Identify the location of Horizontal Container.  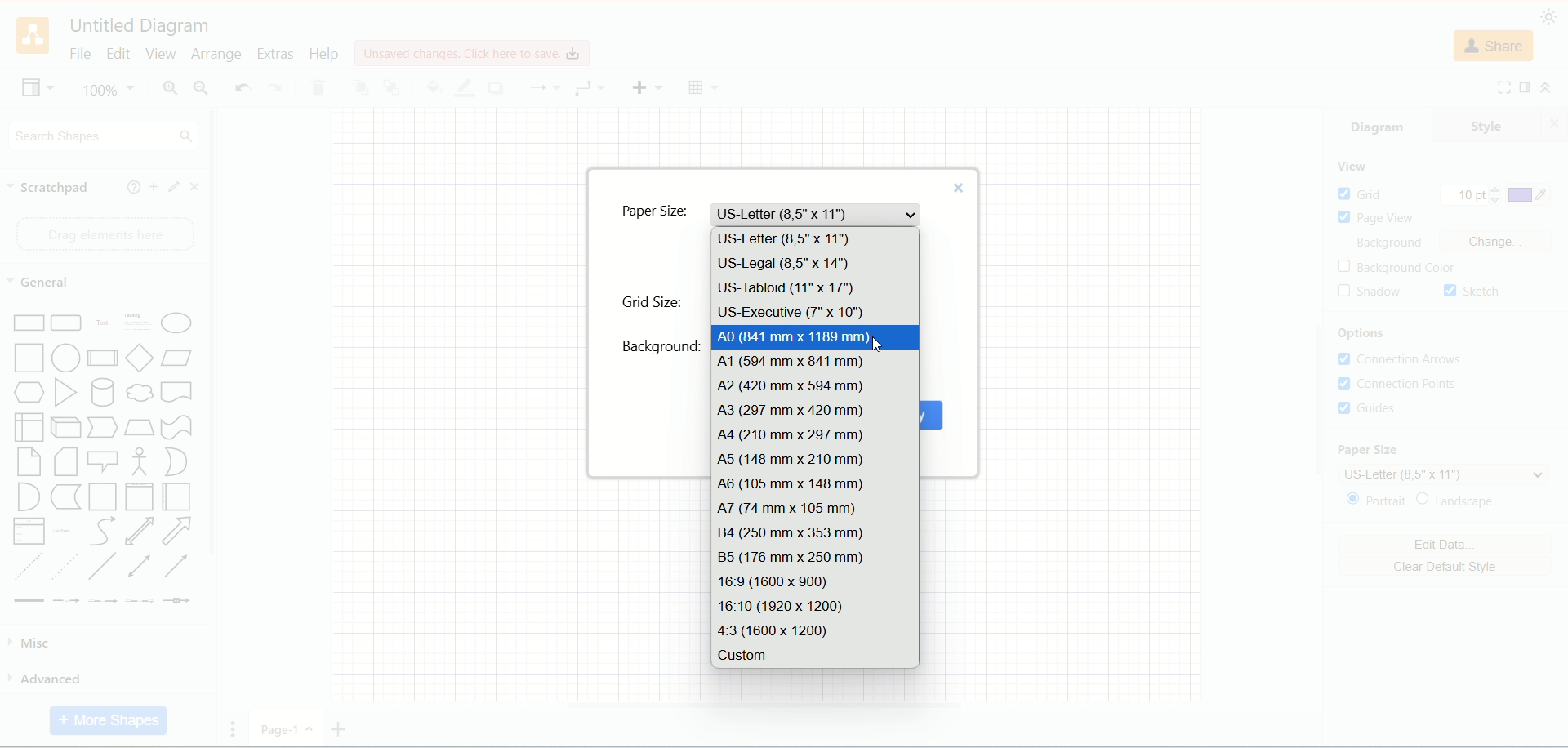
(176, 498).